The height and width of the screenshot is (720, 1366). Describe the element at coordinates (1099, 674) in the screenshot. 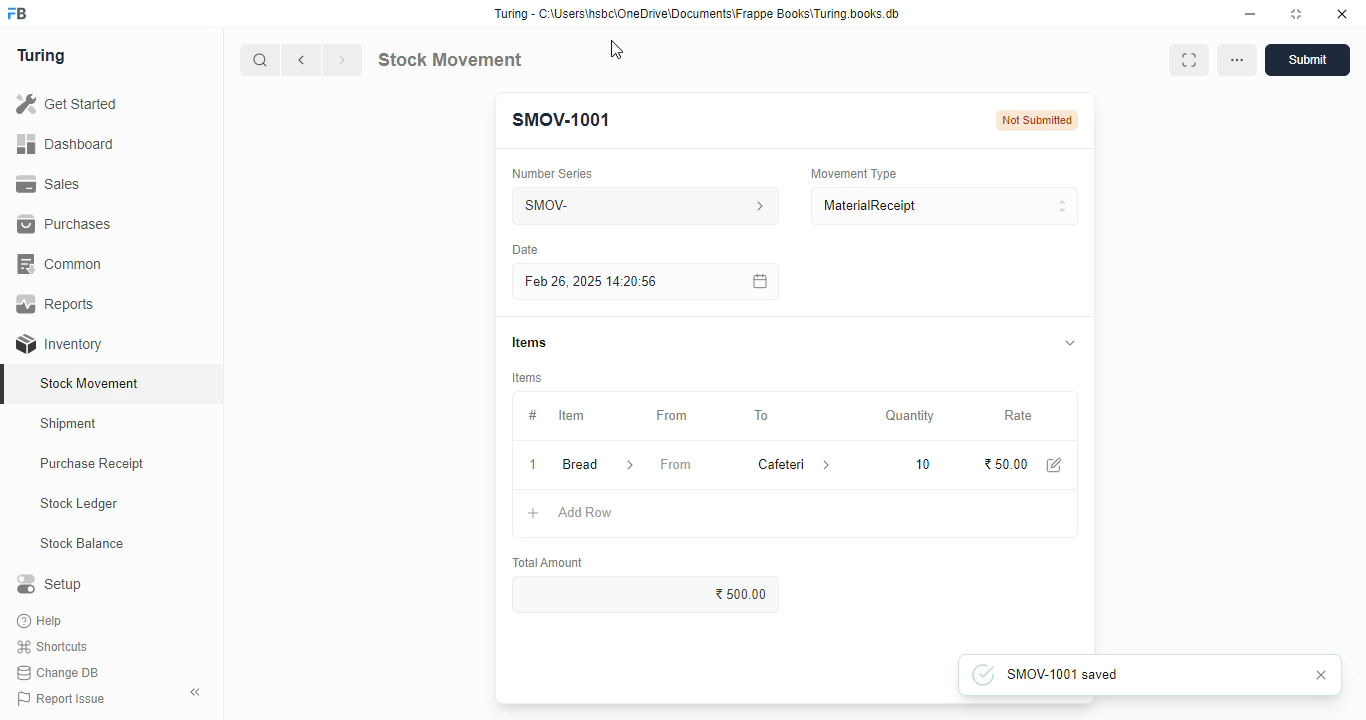

I see `SMOV-1001 saved` at that location.